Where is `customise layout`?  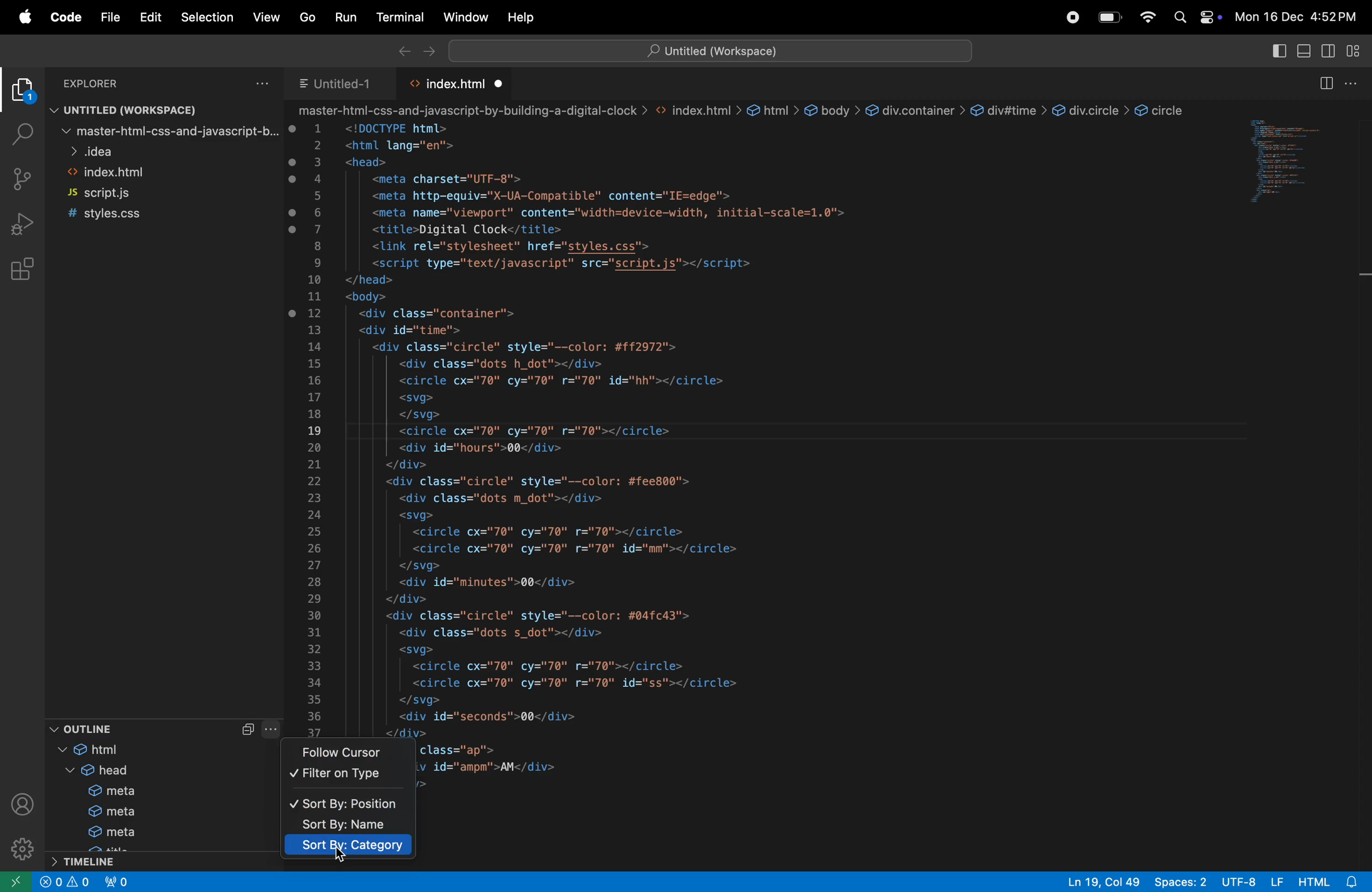 customise layout is located at coordinates (1359, 49).